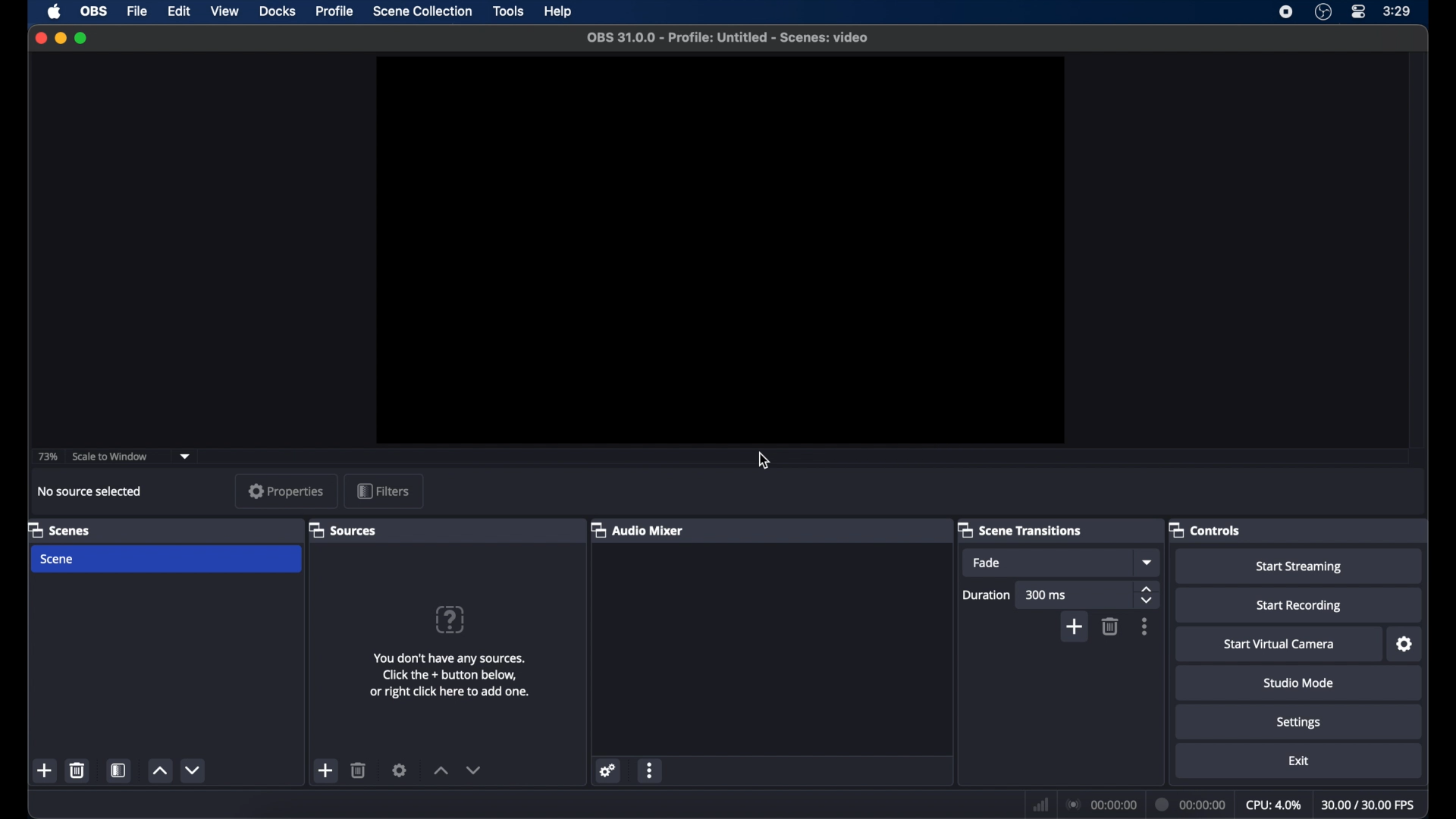 Image resolution: width=1456 pixels, height=819 pixels. What do you see at coordinates (177, 11) in the screenshot?
I see `edit` at bounding box center [177, 11].